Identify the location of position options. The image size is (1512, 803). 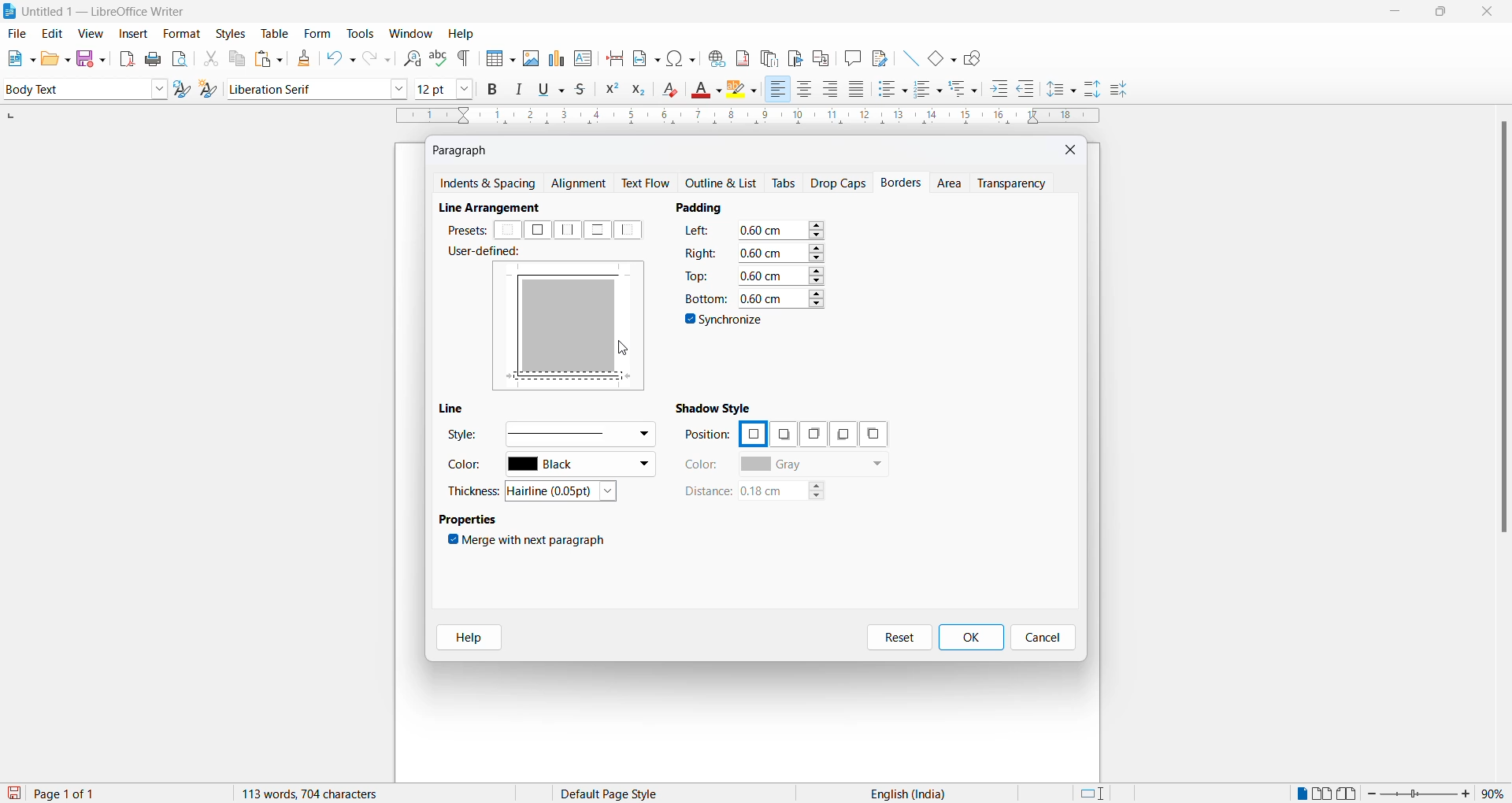
(810, 434).